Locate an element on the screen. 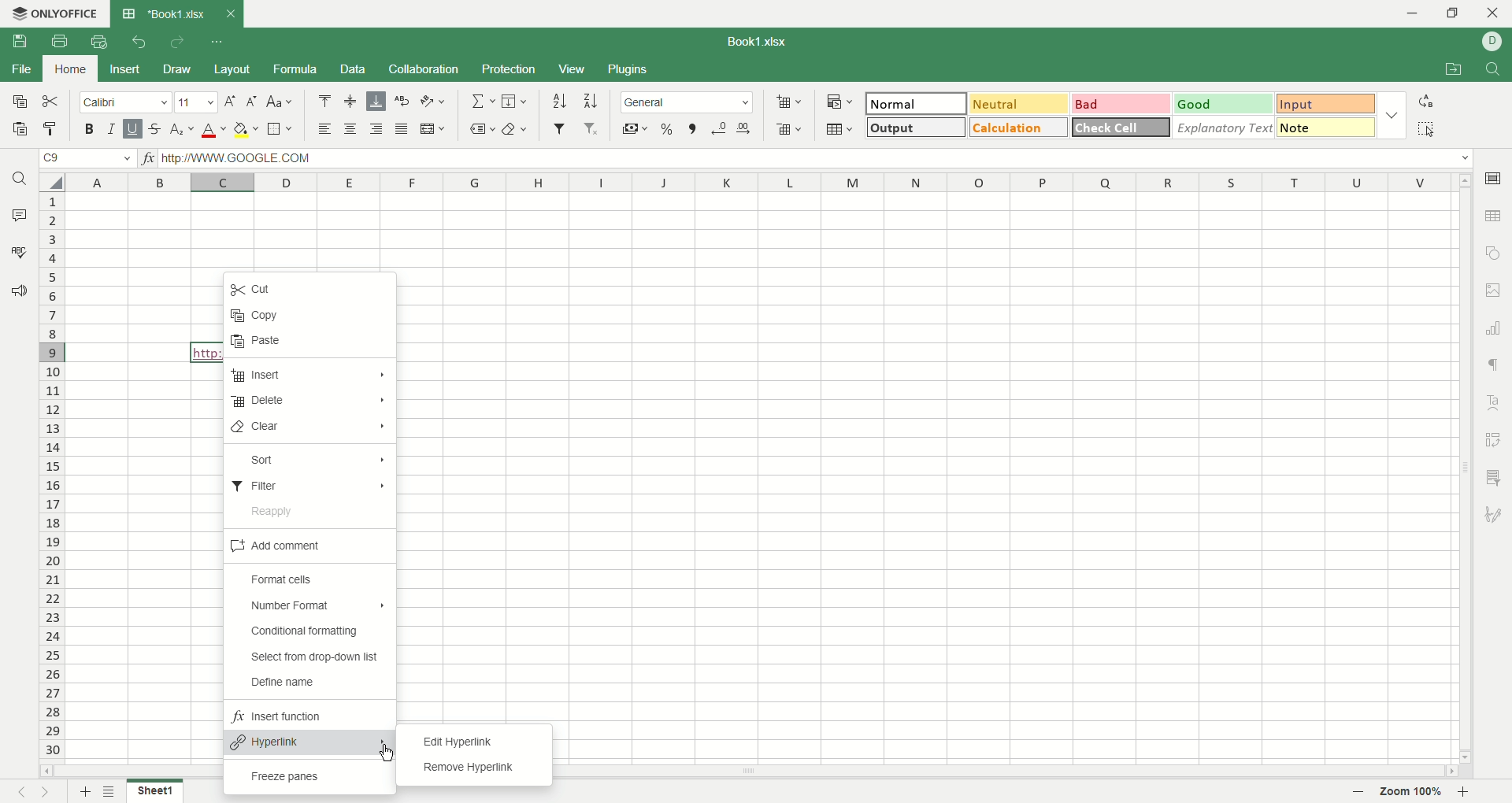  font size is located at coordinates (198, 102).